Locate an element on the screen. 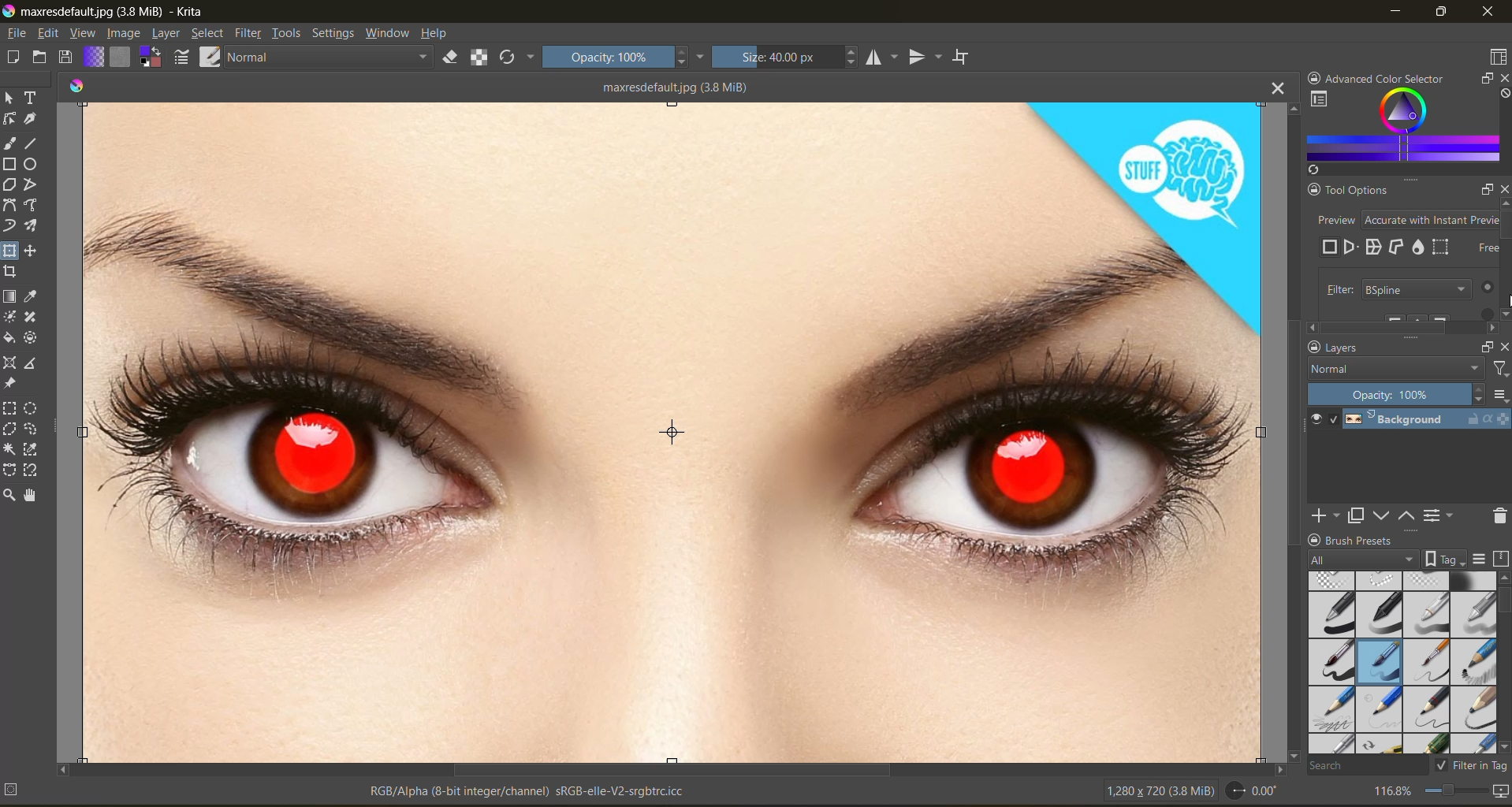  lock docker is located at coordinates (1315, 540).